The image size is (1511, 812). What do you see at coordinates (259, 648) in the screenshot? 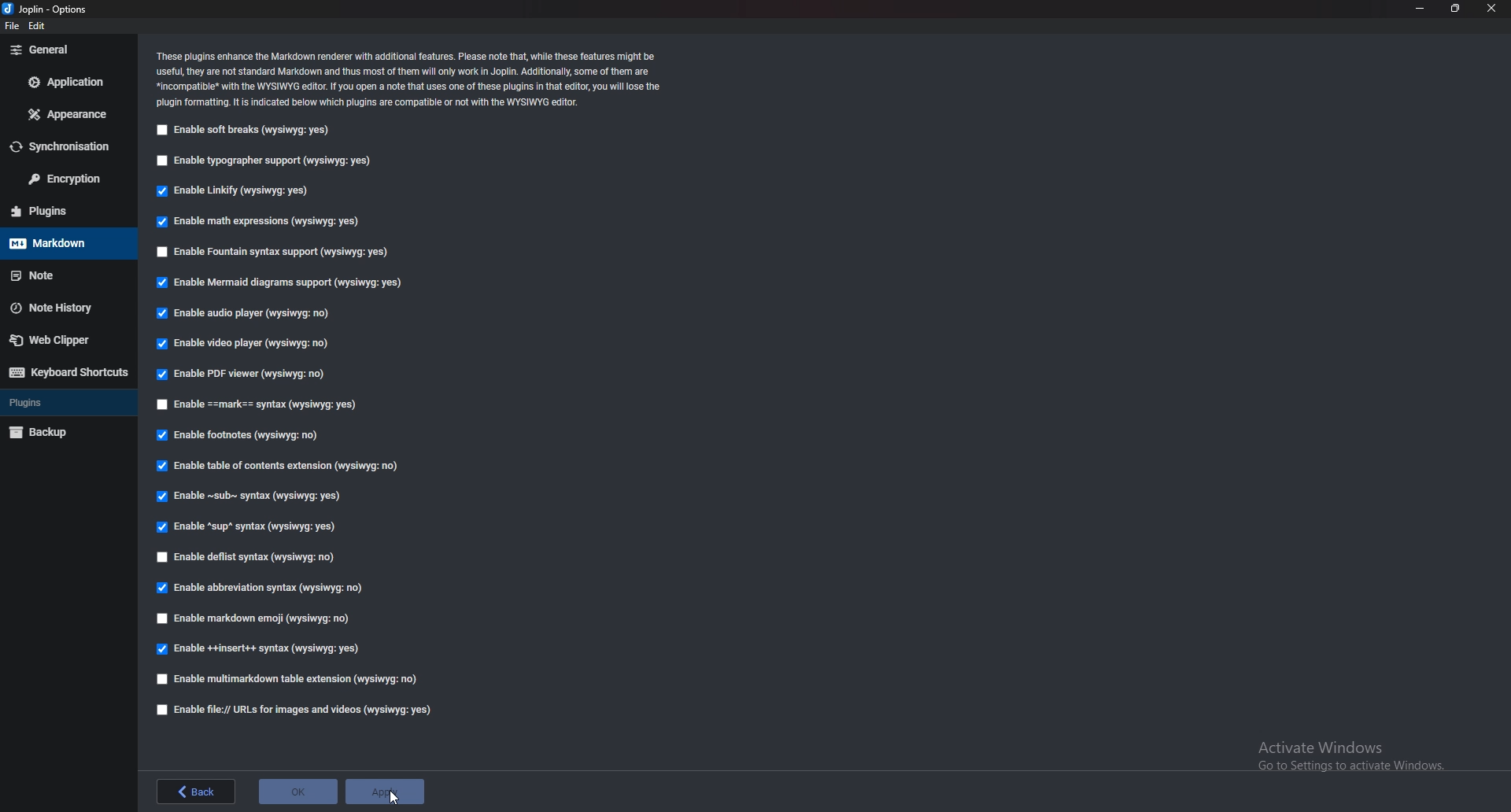
I see `enable insert syntax` at bounding box center [259, 648].